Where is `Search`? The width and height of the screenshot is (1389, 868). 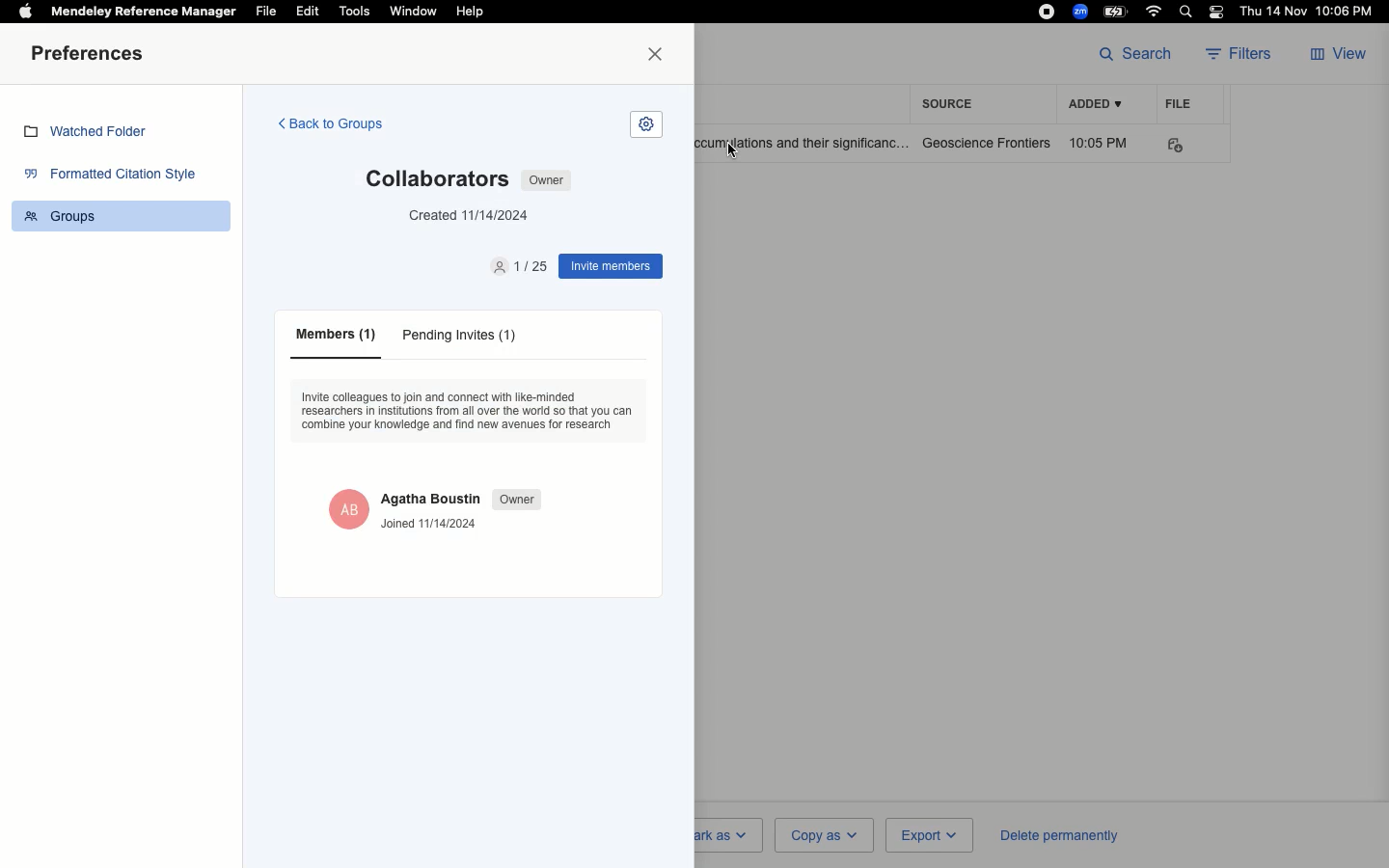 Search is located at coordinates (1135, 52).